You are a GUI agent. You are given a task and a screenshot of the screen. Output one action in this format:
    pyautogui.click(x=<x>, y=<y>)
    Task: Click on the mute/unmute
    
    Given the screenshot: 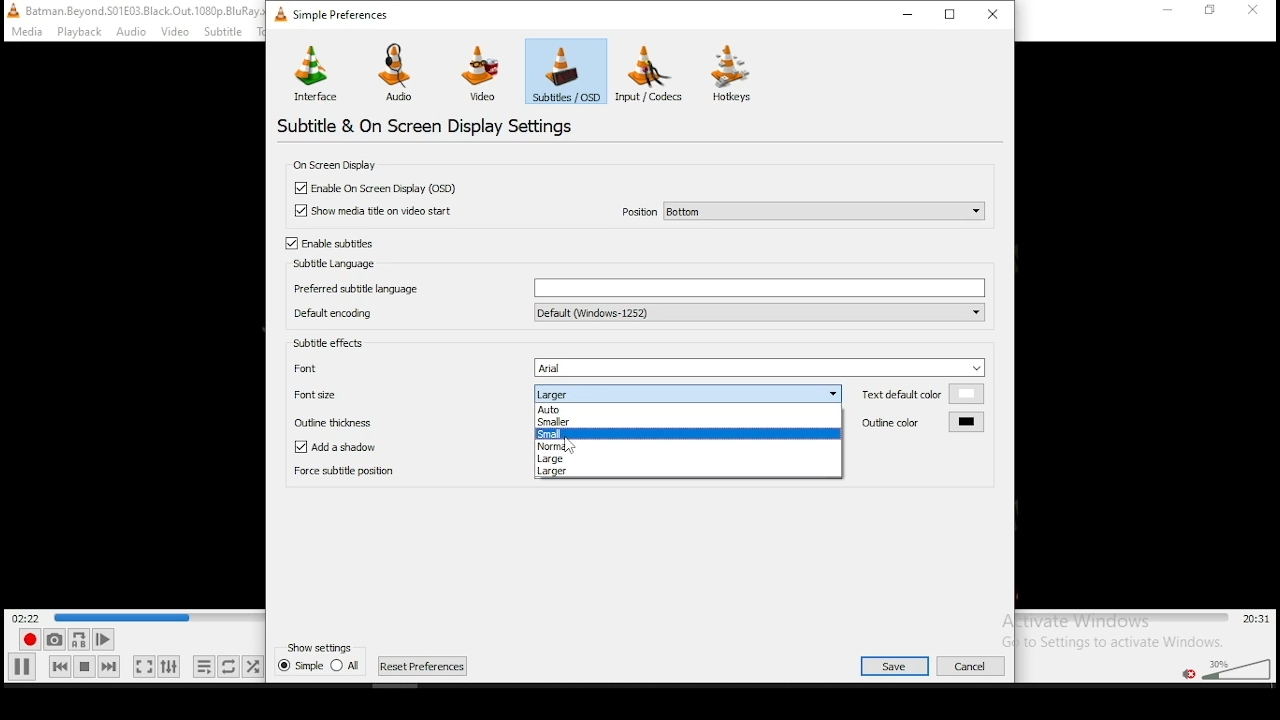 What is the action you would take?
    pyautogui.click(x=1187, y=673)
    